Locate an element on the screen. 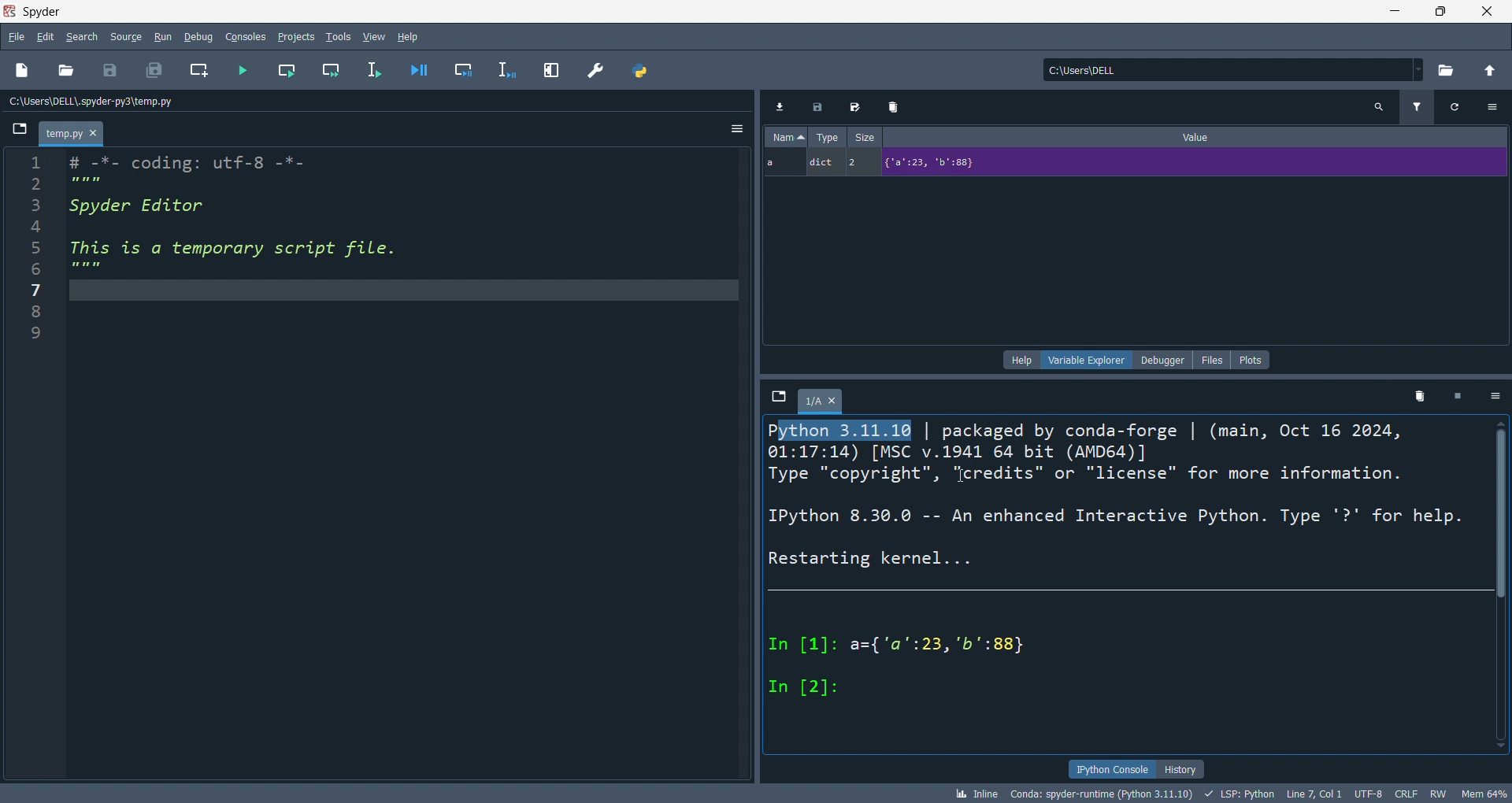  a, dict, 2, {'a':23, 'b': 88} is located at coordinates (1131, 164).